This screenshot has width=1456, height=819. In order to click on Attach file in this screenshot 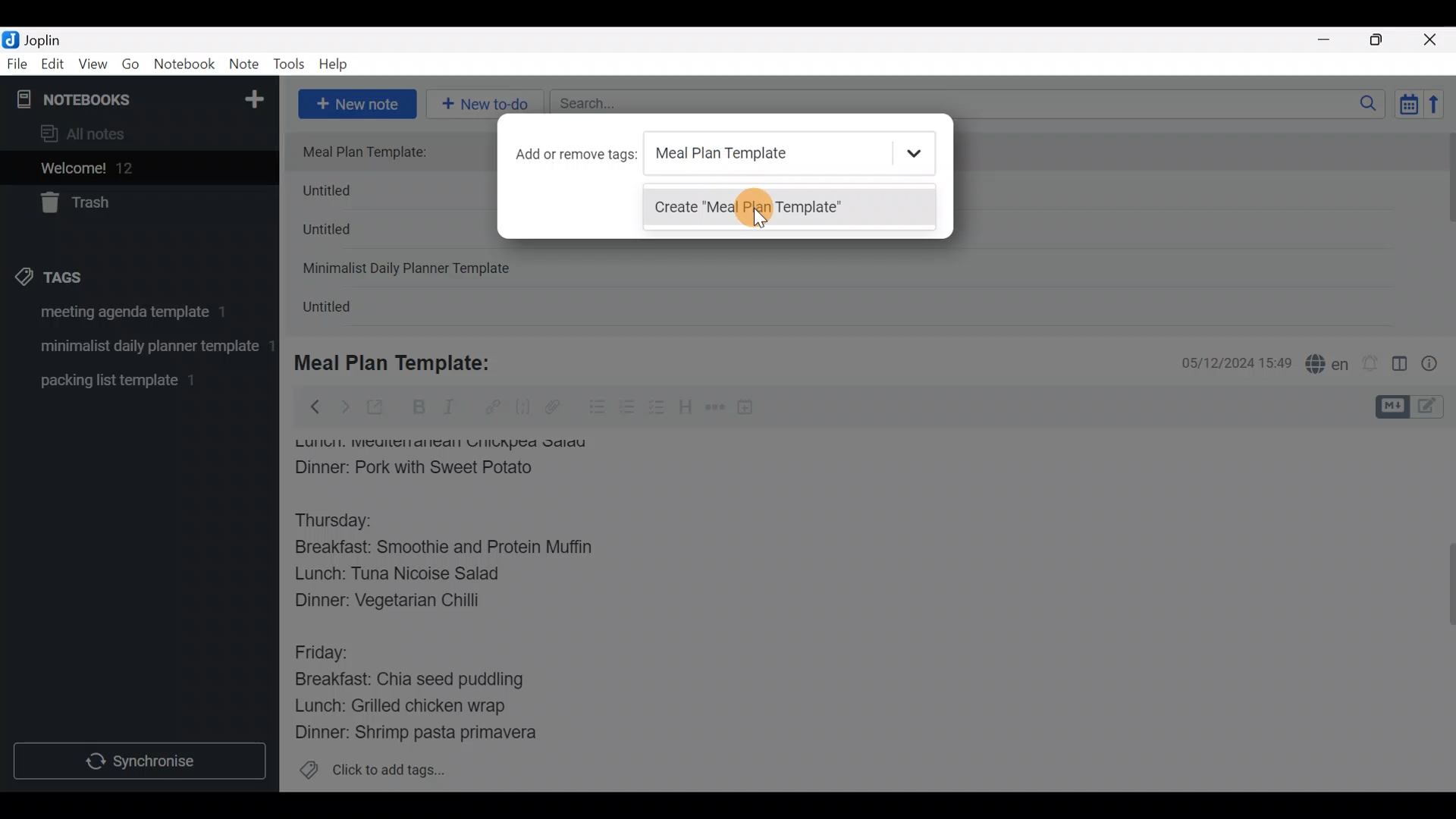, I will do `click(557, 409)`.